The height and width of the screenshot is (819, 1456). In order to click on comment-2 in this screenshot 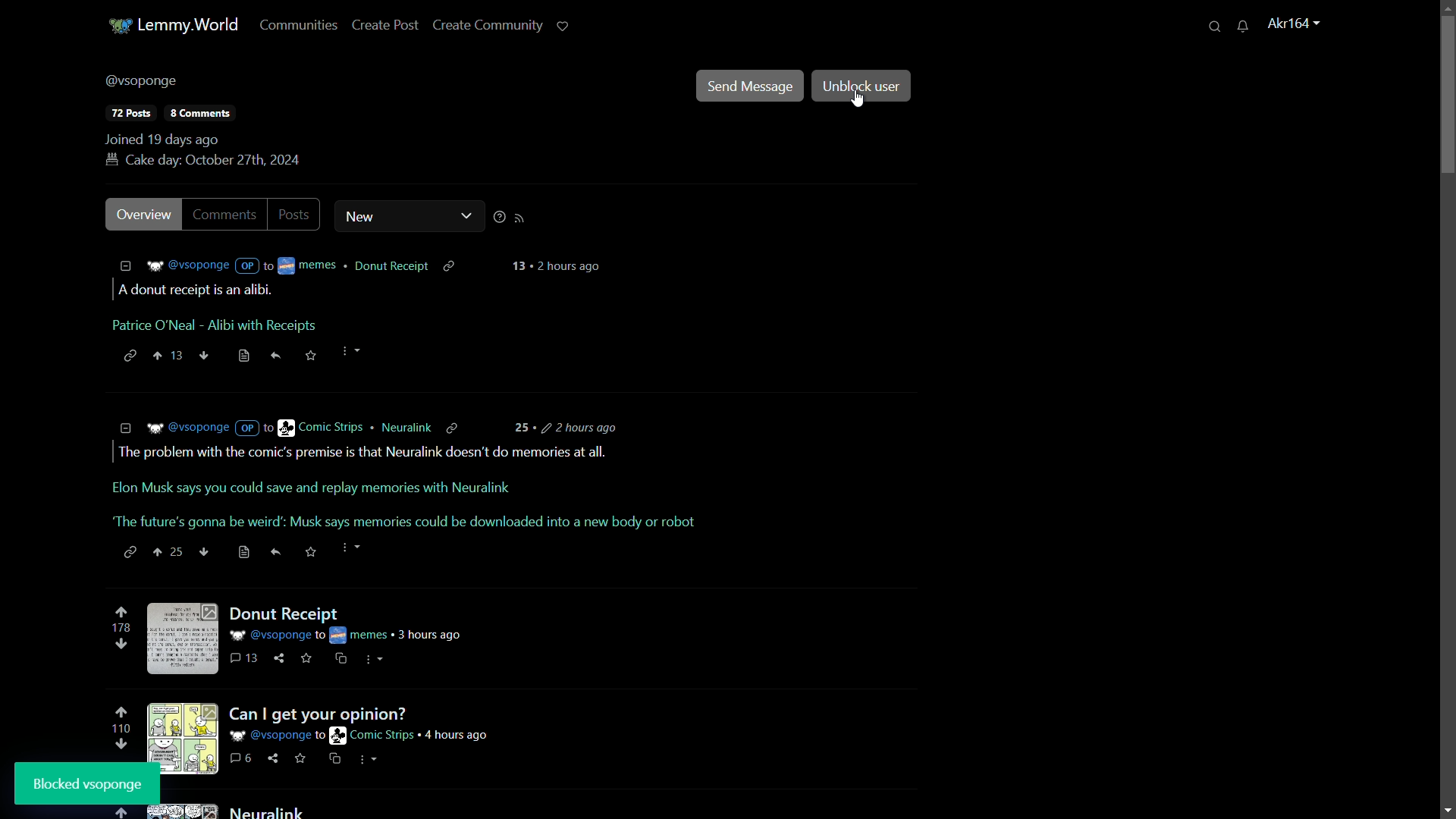, I will do `click(406, 486)`.